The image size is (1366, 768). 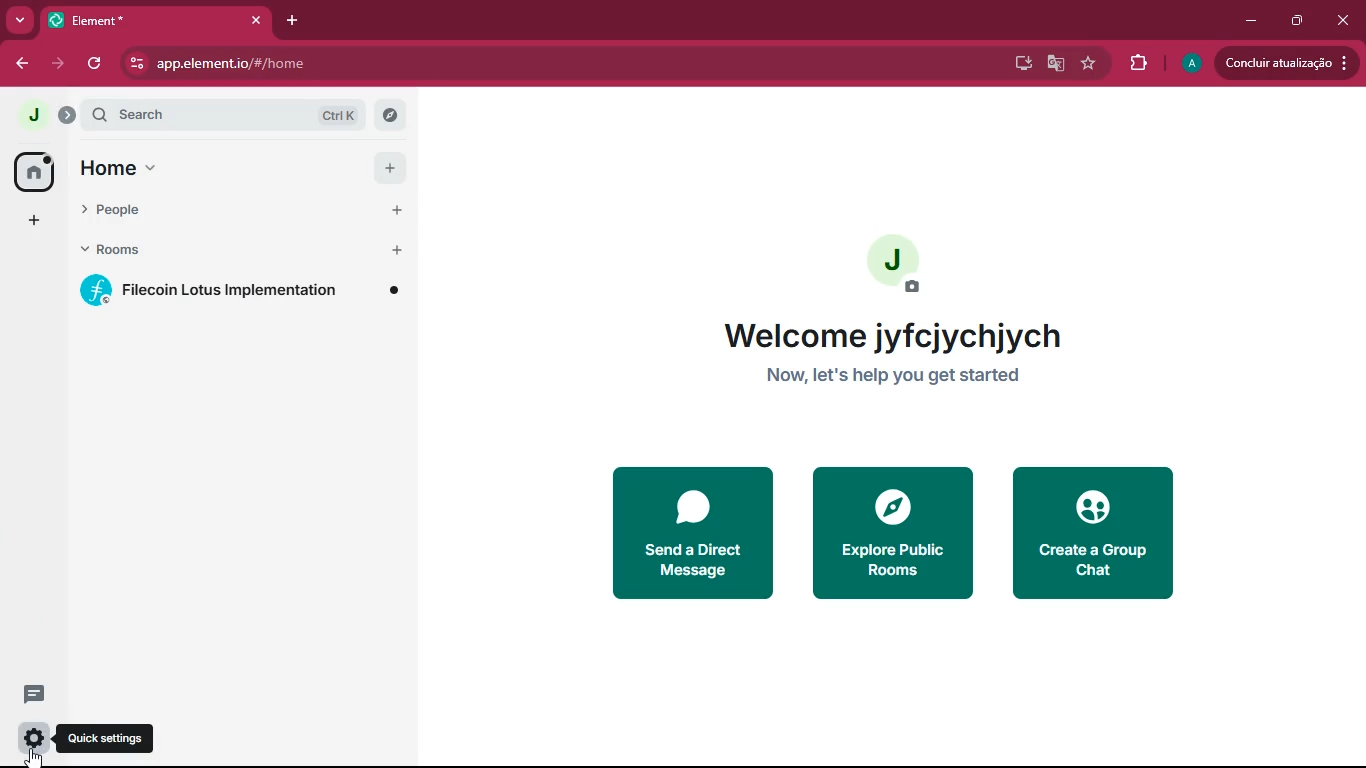 I want to click on quick settings, so click(x=104, y=738).